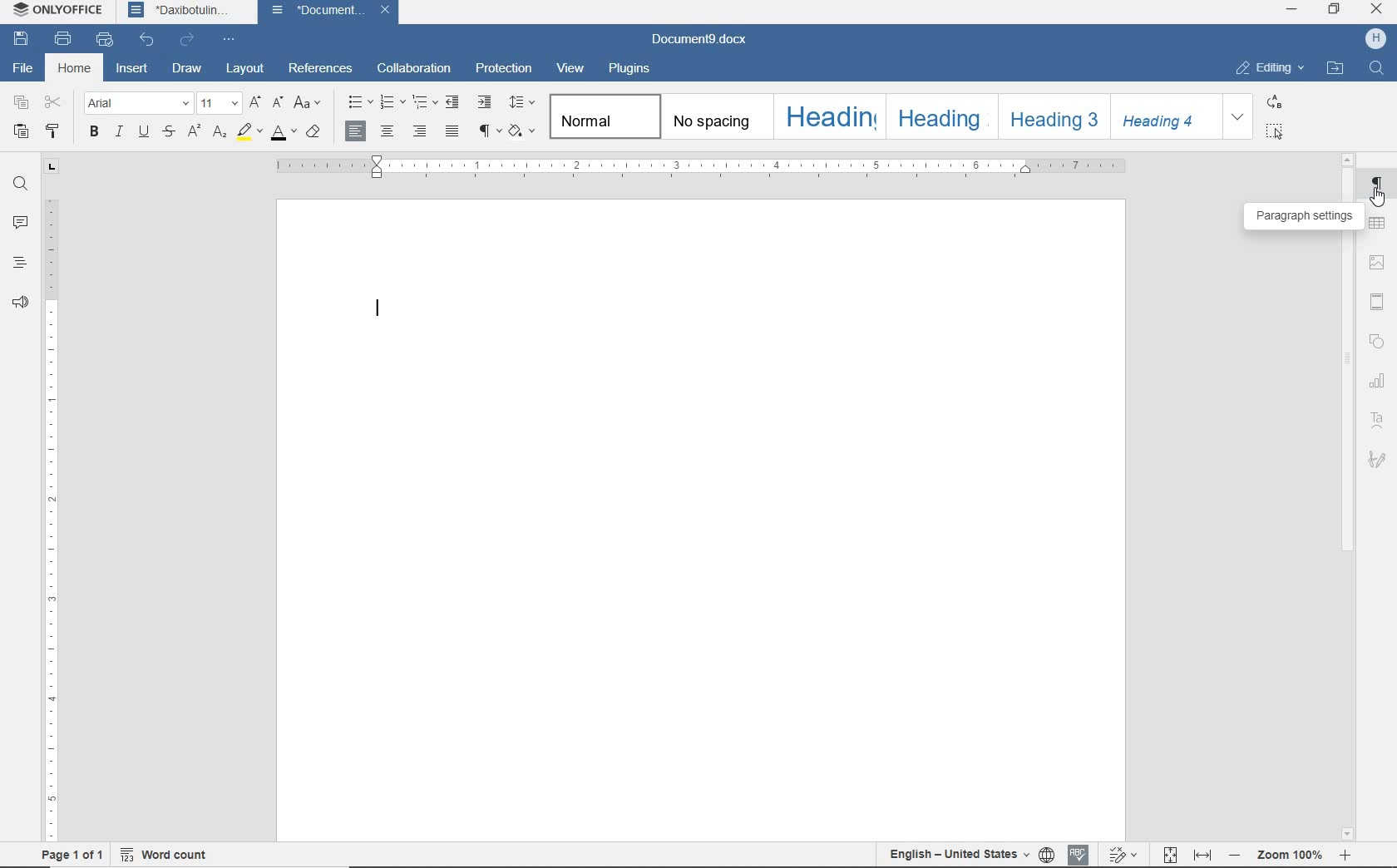 The image size is (1397, 868). I want to click on shading, so click(523, 133).